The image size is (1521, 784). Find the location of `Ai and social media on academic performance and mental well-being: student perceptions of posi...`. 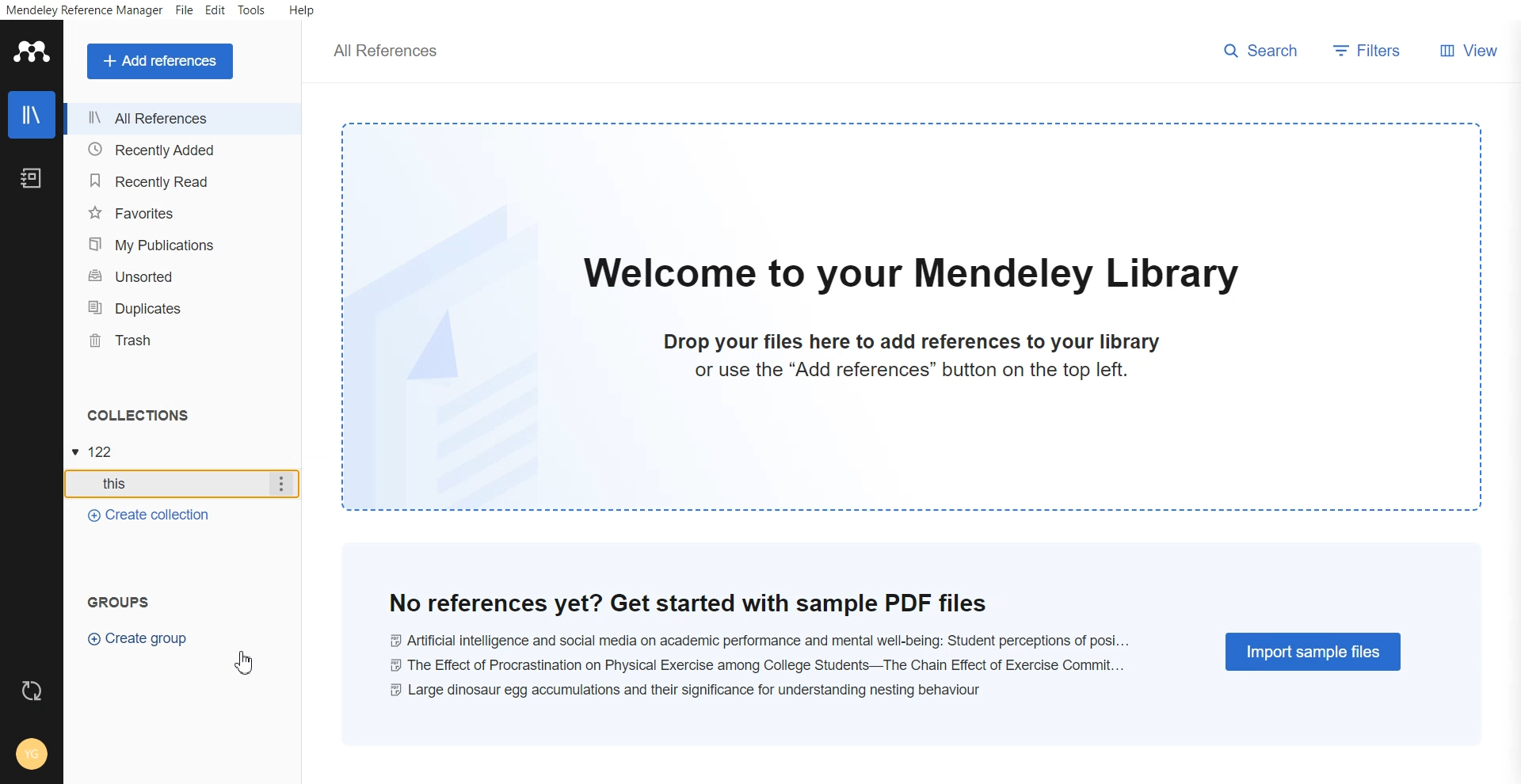

Ai and social media on academic performance and mental well-being: student perceptions of posi... is located at coordinates (760, 637).